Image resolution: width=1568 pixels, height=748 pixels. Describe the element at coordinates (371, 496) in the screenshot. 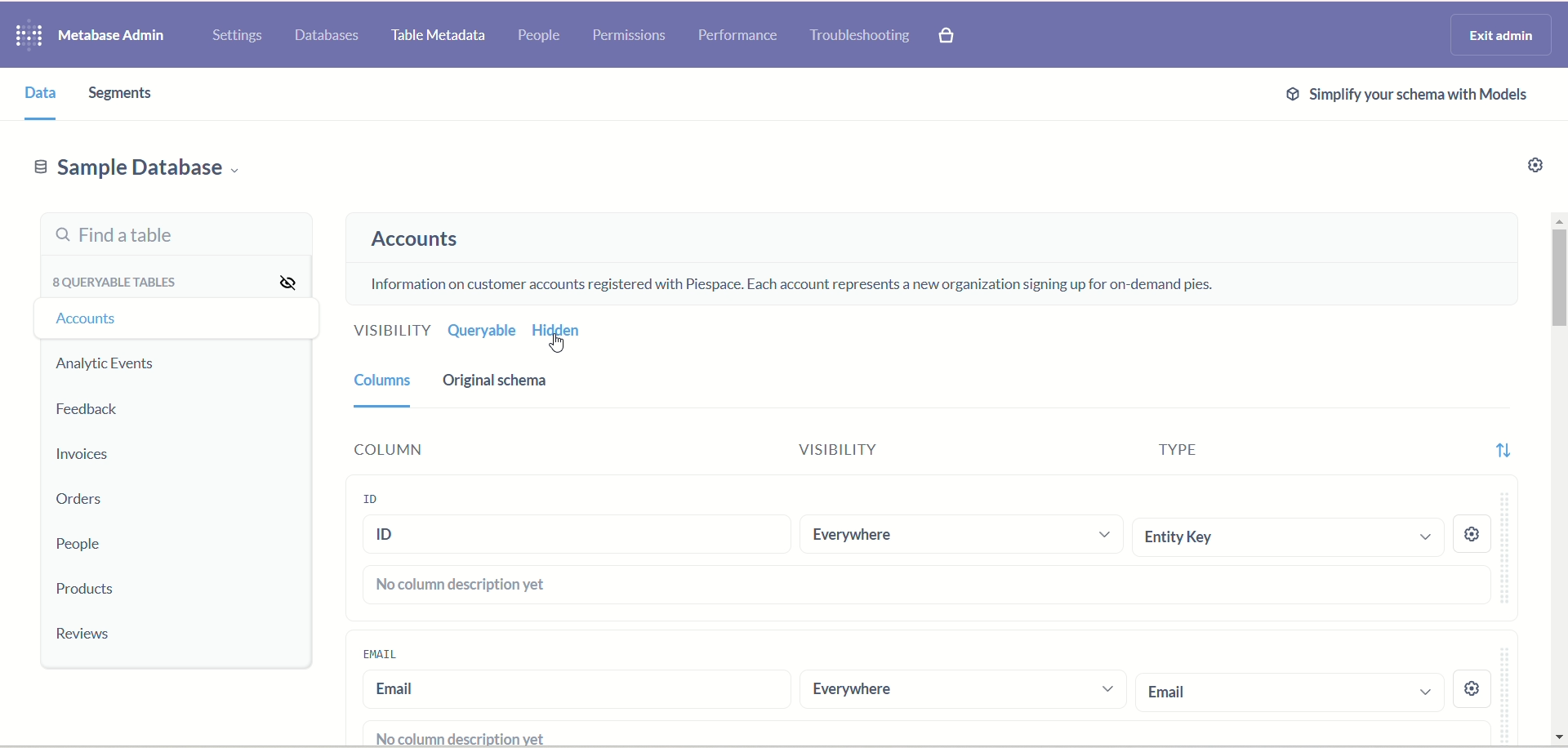

I see `ID` at that location.